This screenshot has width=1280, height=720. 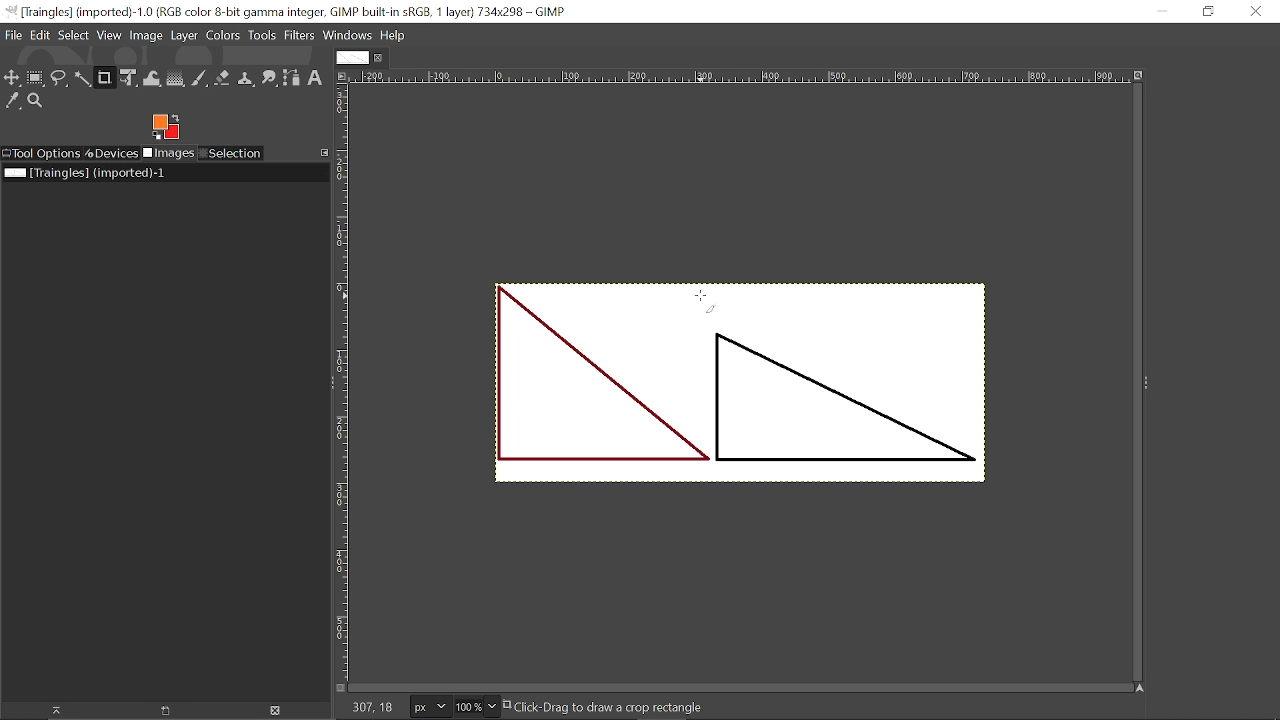 What do you see at coordinates (610, 707) in the screenshot?
I see `click-drag to draw a crop rectangle` at bounding box center [610, 707].